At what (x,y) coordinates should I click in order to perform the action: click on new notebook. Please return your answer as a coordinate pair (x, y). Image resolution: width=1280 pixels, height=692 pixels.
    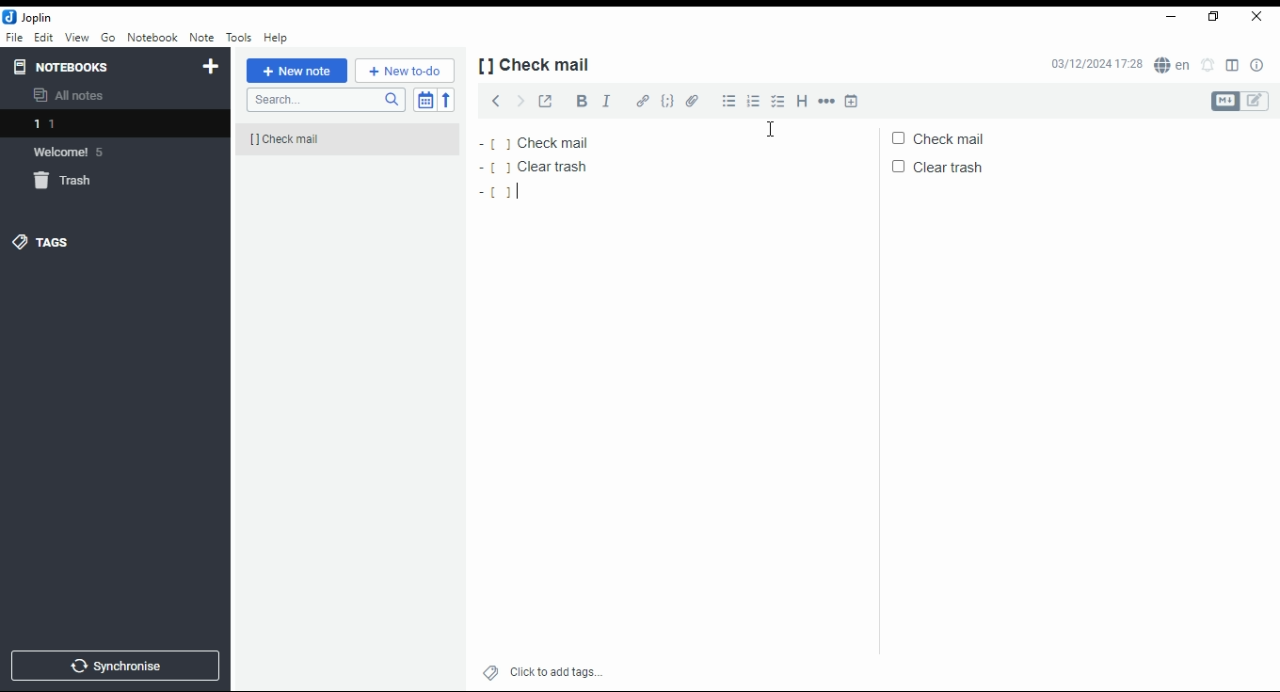
    Looking at the image, I should click on (212, 67).